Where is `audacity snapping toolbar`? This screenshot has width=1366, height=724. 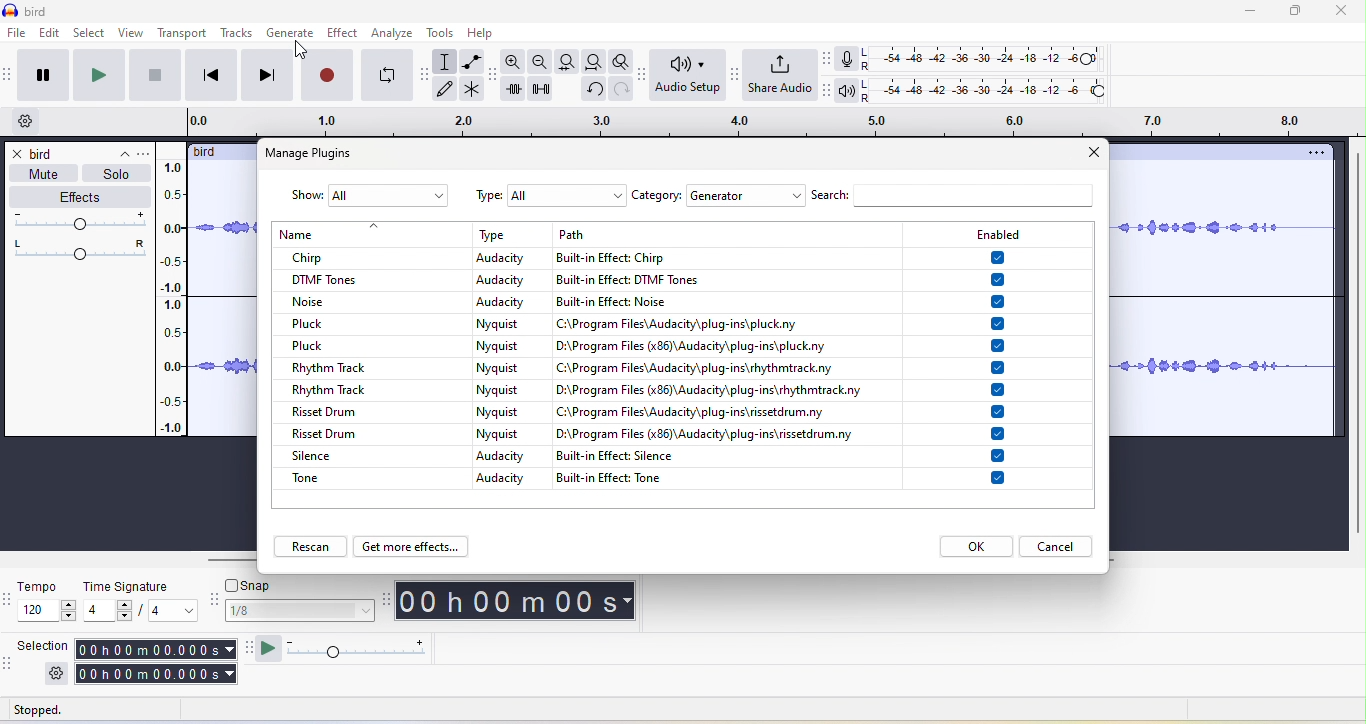
audacity snapping toolbar is located at coordinates (213, 601).